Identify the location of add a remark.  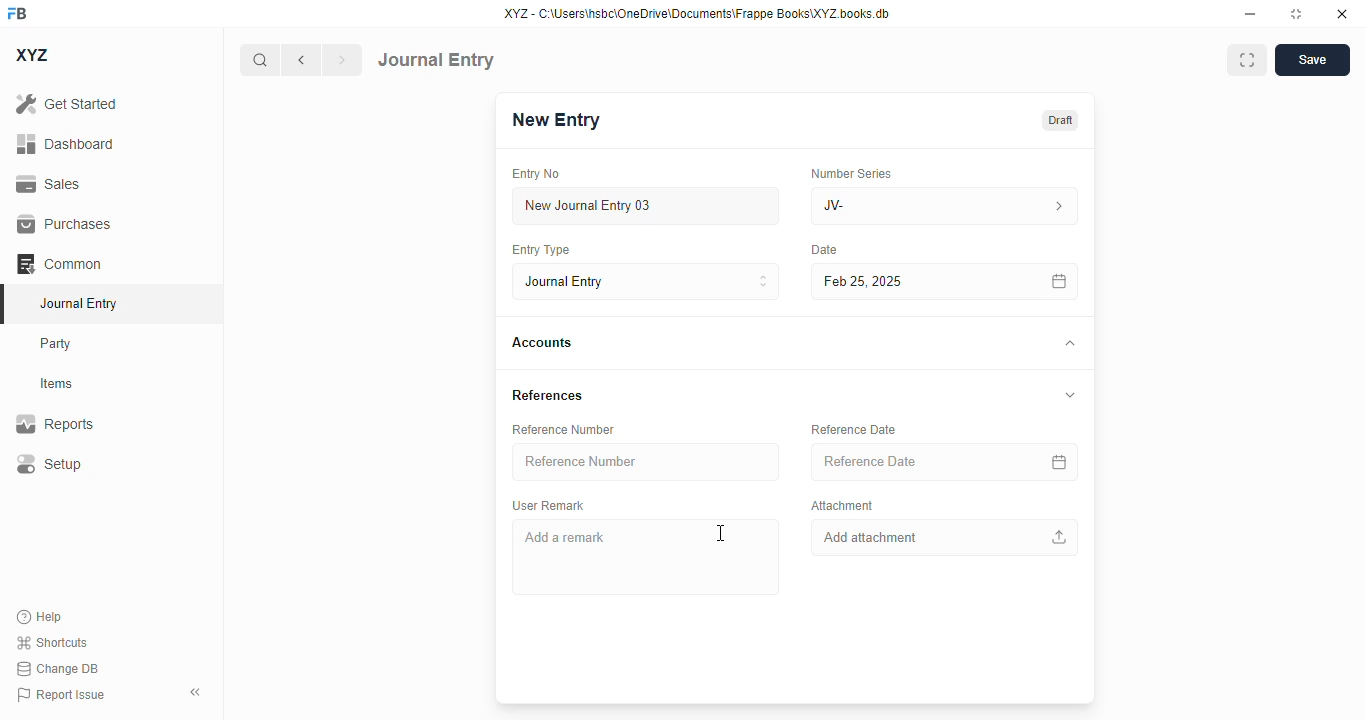
(644, 556).